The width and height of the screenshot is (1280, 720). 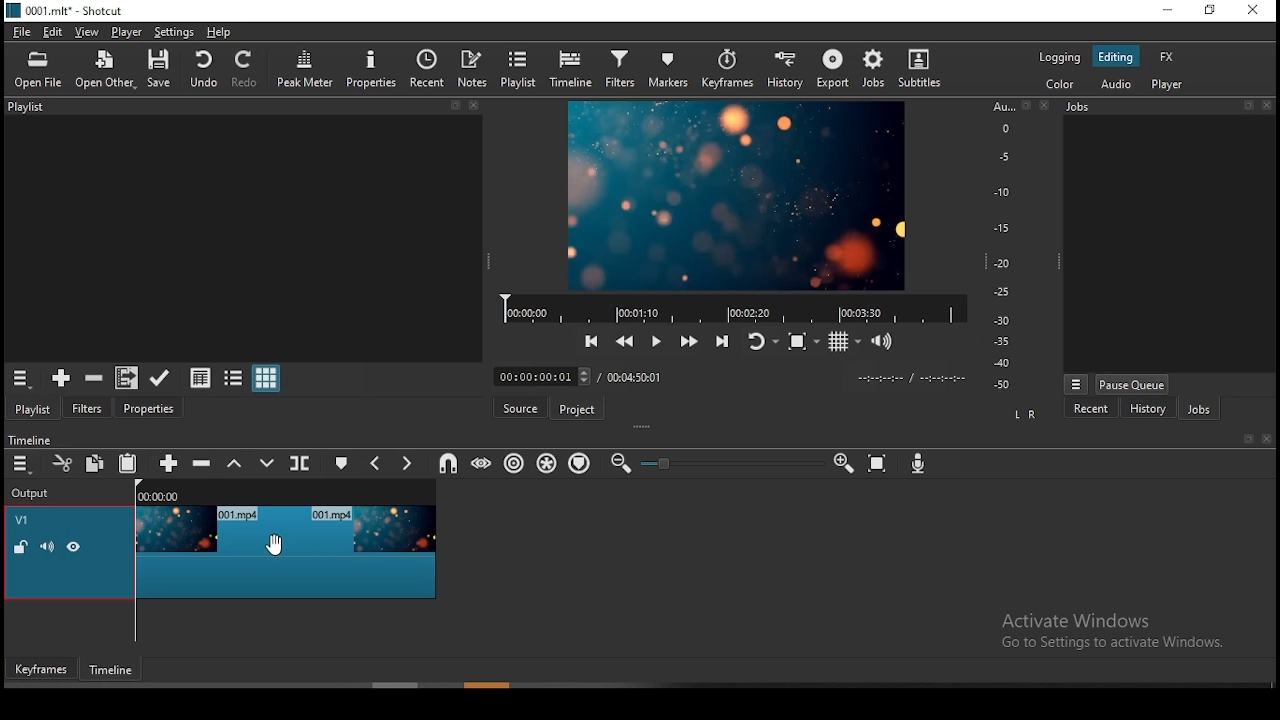 I want to click on player, so click(x=124, y=32).